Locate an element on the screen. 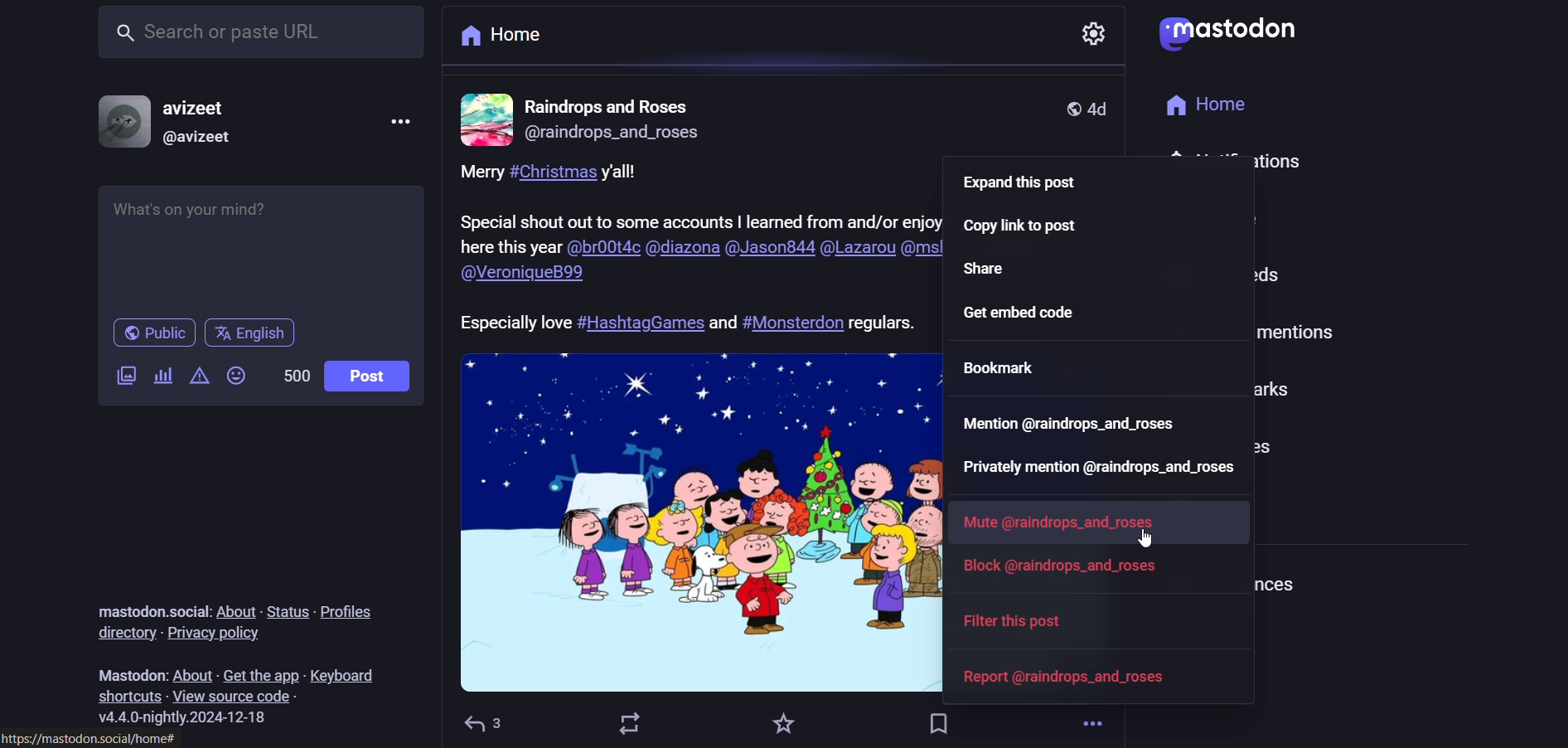 Image resolution: width=1568 pixels, height=748 pixels. username is located at coordinates (200, 102).